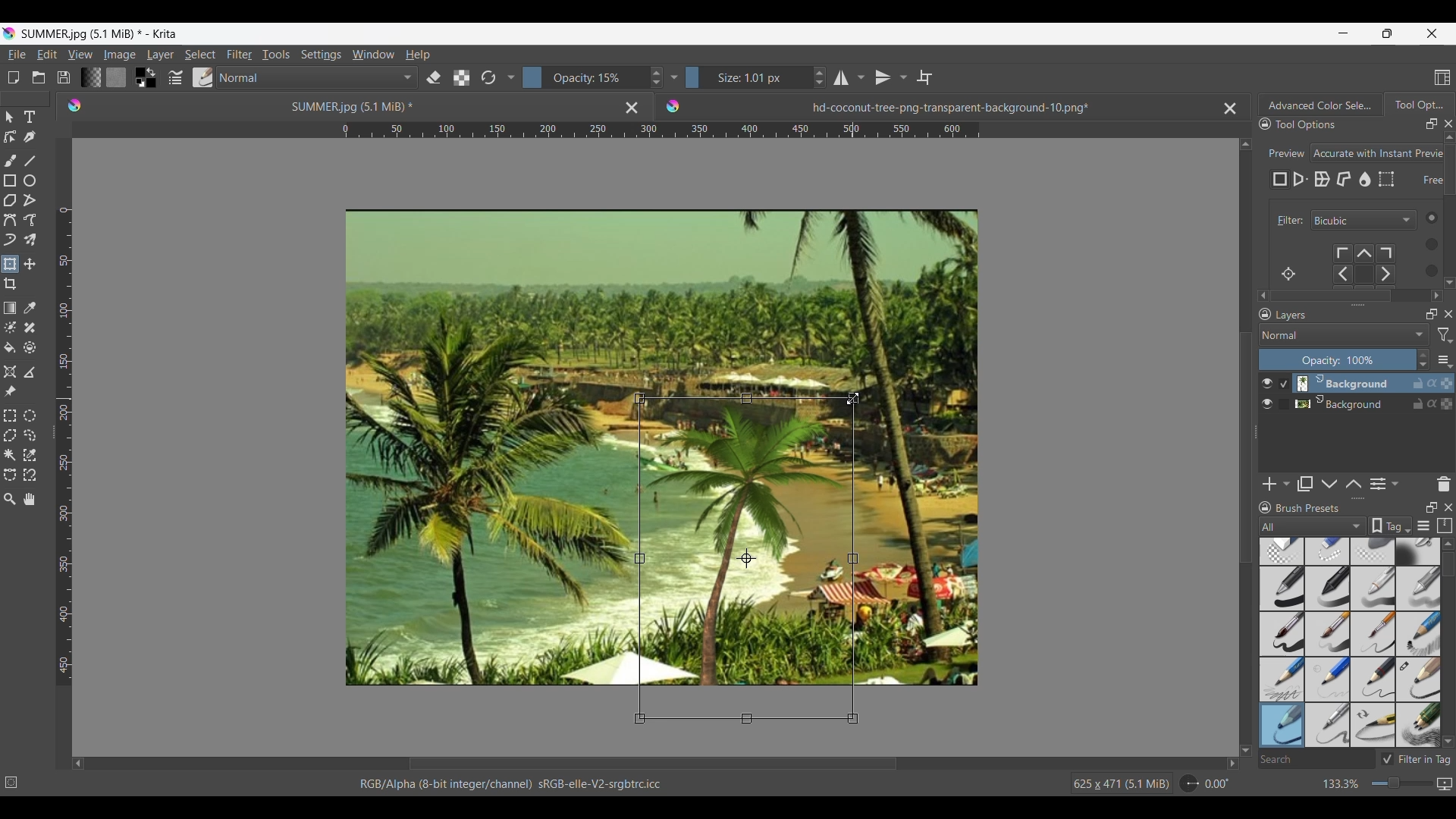 This screenshot has width=1456, height=819. What do you see at coordinates (1363, 221) in the screenshot?
I see `Bicubic` at bounding box center [1363, 221].